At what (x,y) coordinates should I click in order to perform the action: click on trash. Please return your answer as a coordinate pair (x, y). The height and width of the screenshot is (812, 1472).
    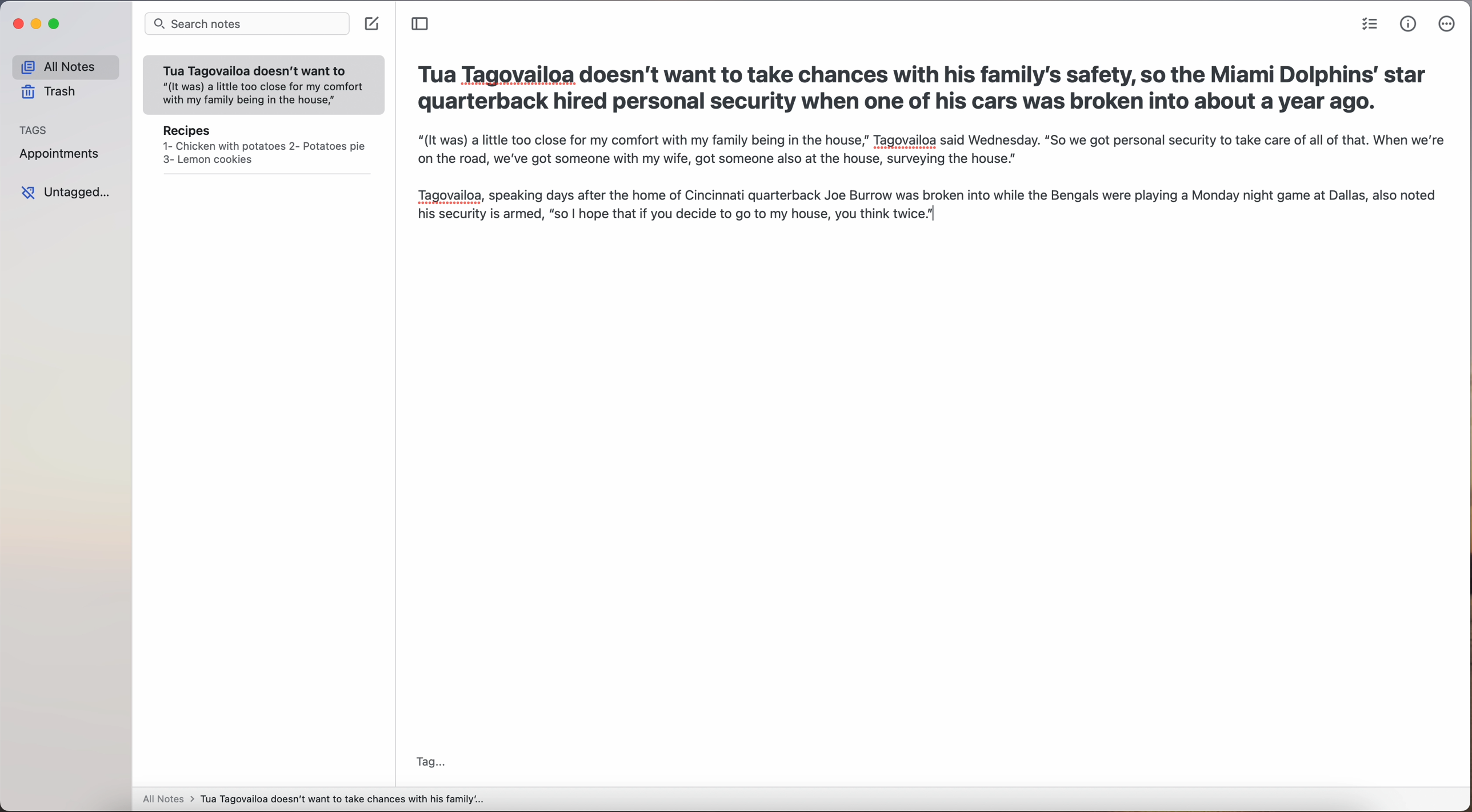
    Looking at the image, I should click on (50, 92).